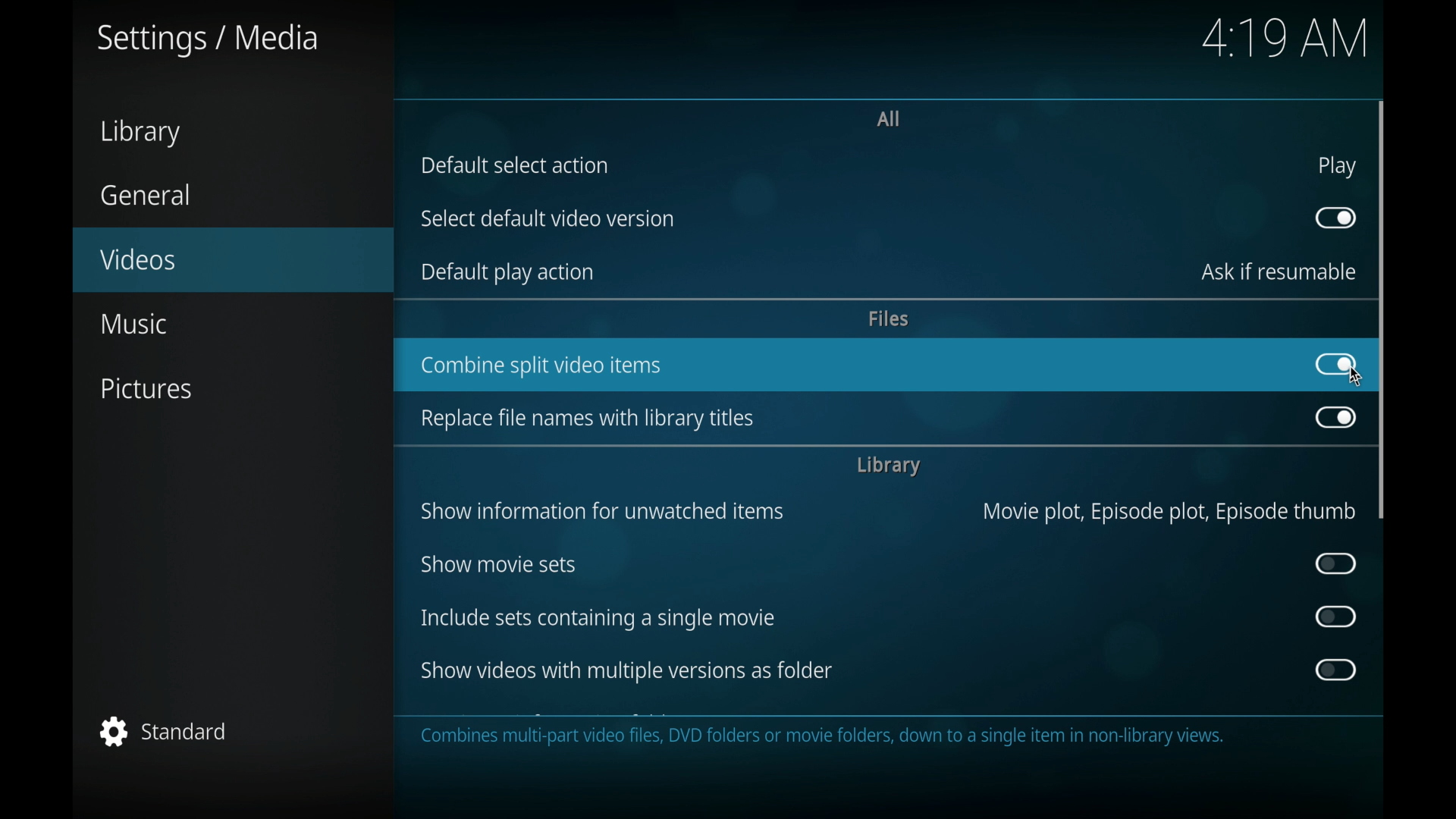  I want to click on toggle button, so click(1336, 563).